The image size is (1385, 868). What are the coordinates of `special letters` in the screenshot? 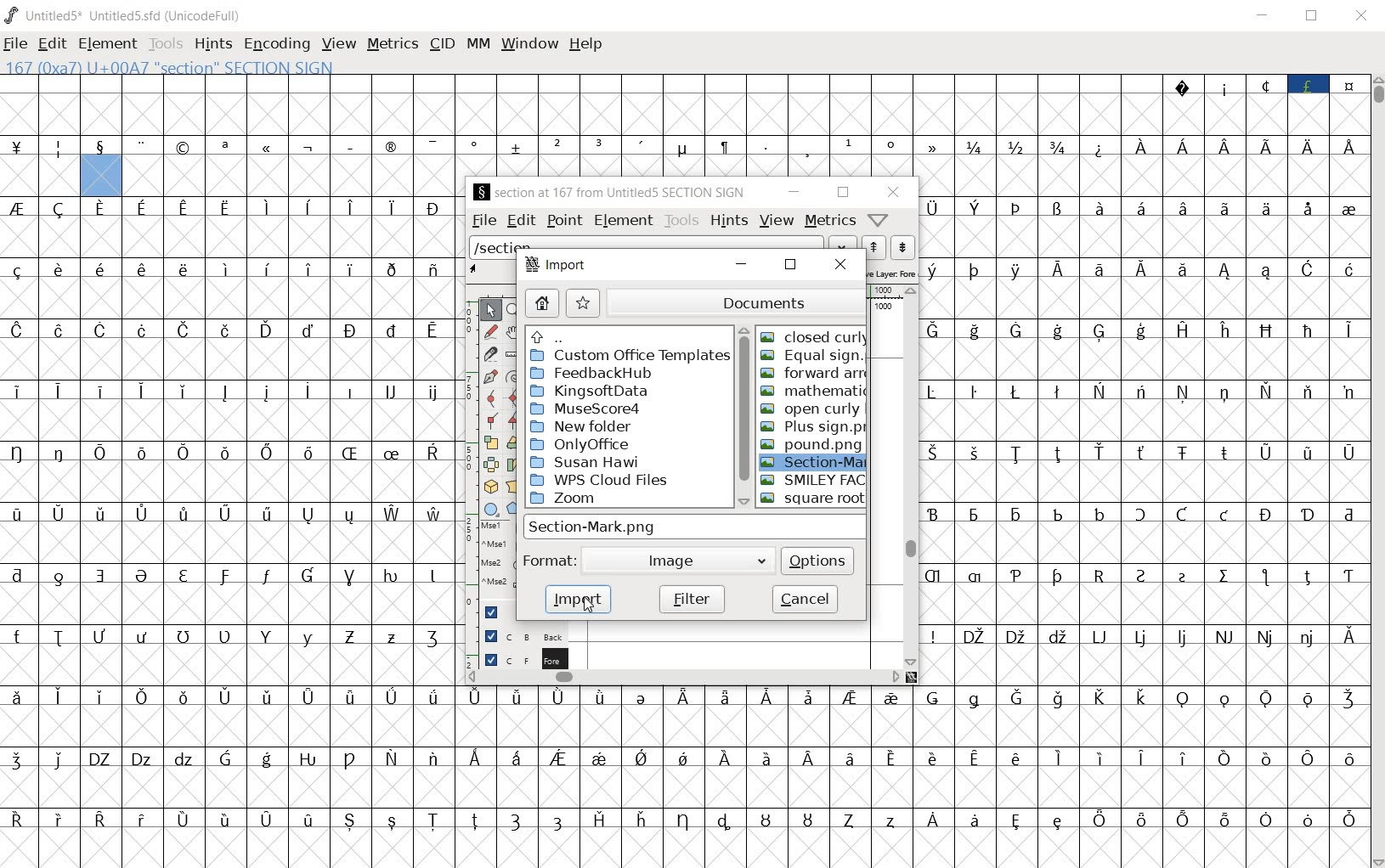 It's located at (1144, 390).